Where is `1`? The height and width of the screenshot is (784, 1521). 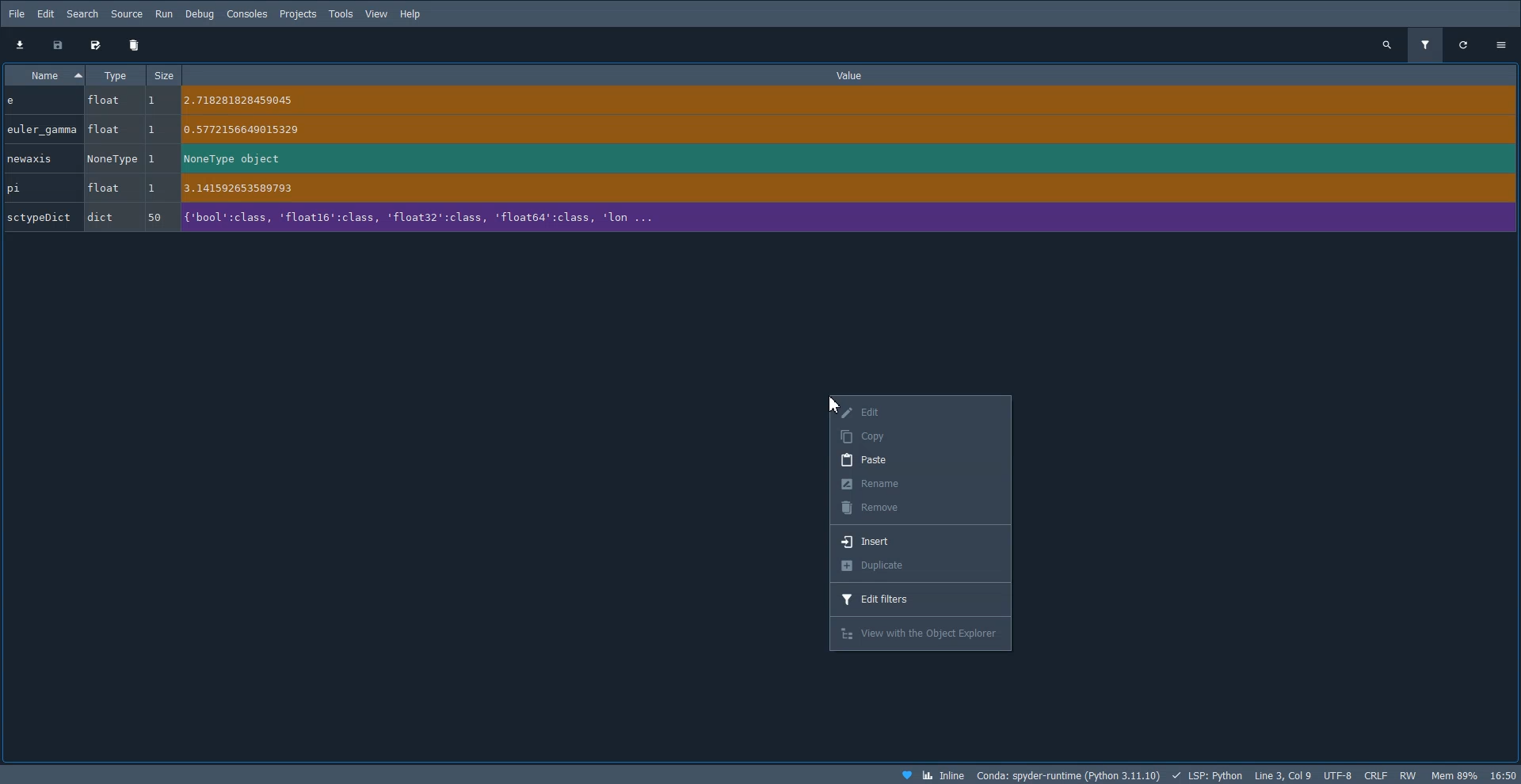
1 is located at coordinates (151, 128).